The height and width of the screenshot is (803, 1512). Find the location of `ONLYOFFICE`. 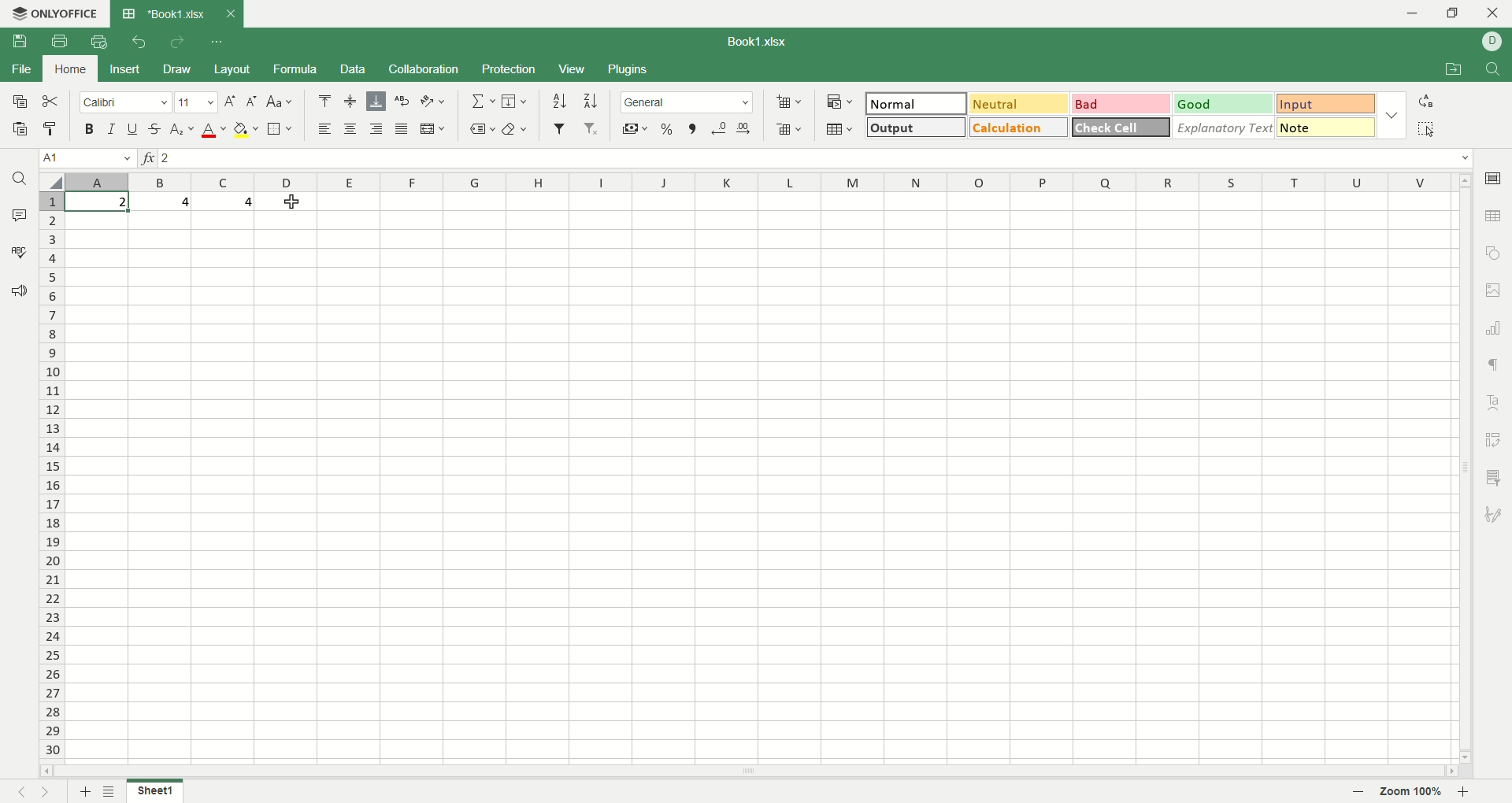

ONLYOFFICE is located at coordinates (56, 13).